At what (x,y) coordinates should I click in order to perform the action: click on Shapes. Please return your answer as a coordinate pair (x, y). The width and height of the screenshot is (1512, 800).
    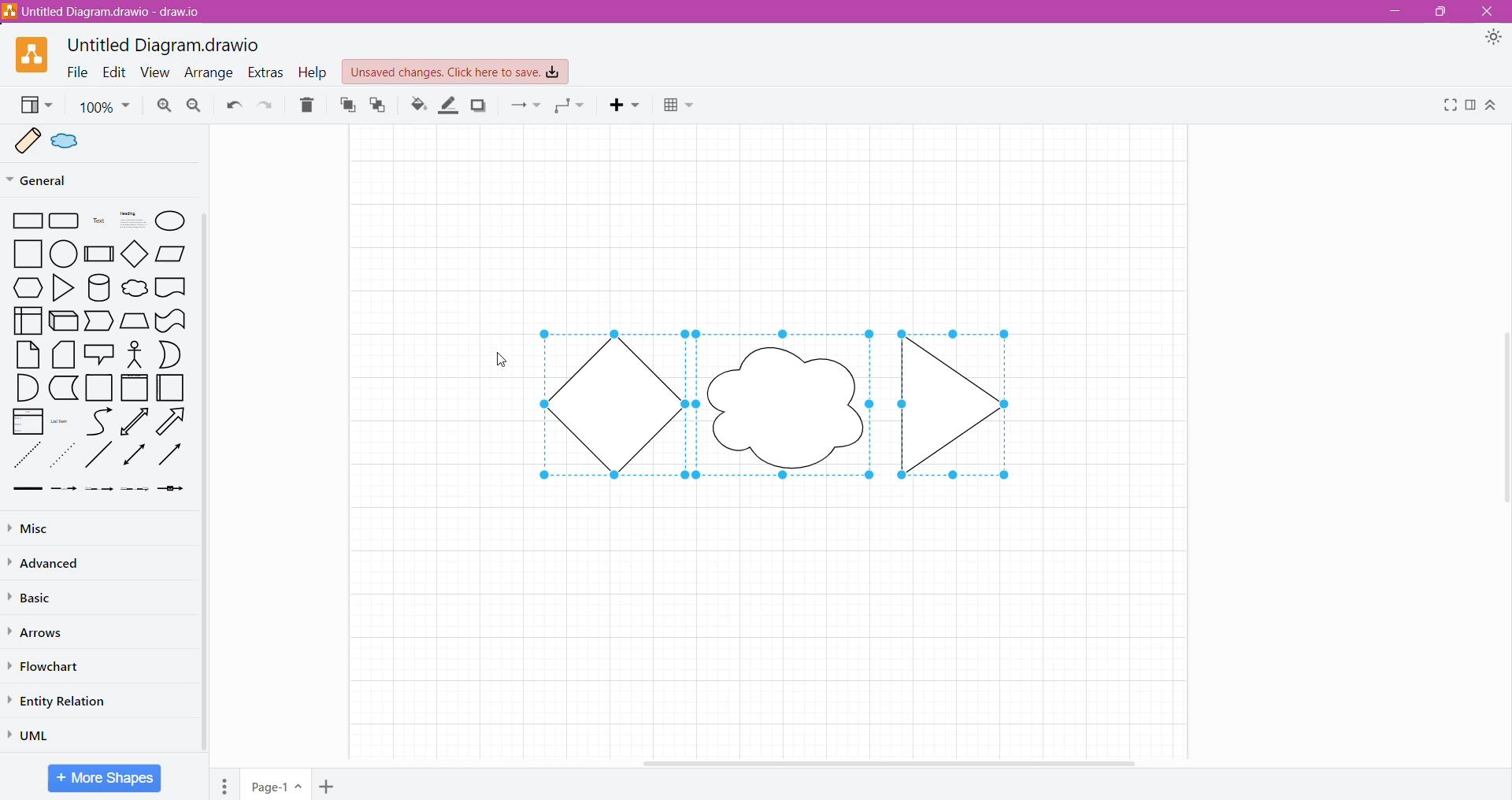
    Looking at the image, I should click on (94, 356).